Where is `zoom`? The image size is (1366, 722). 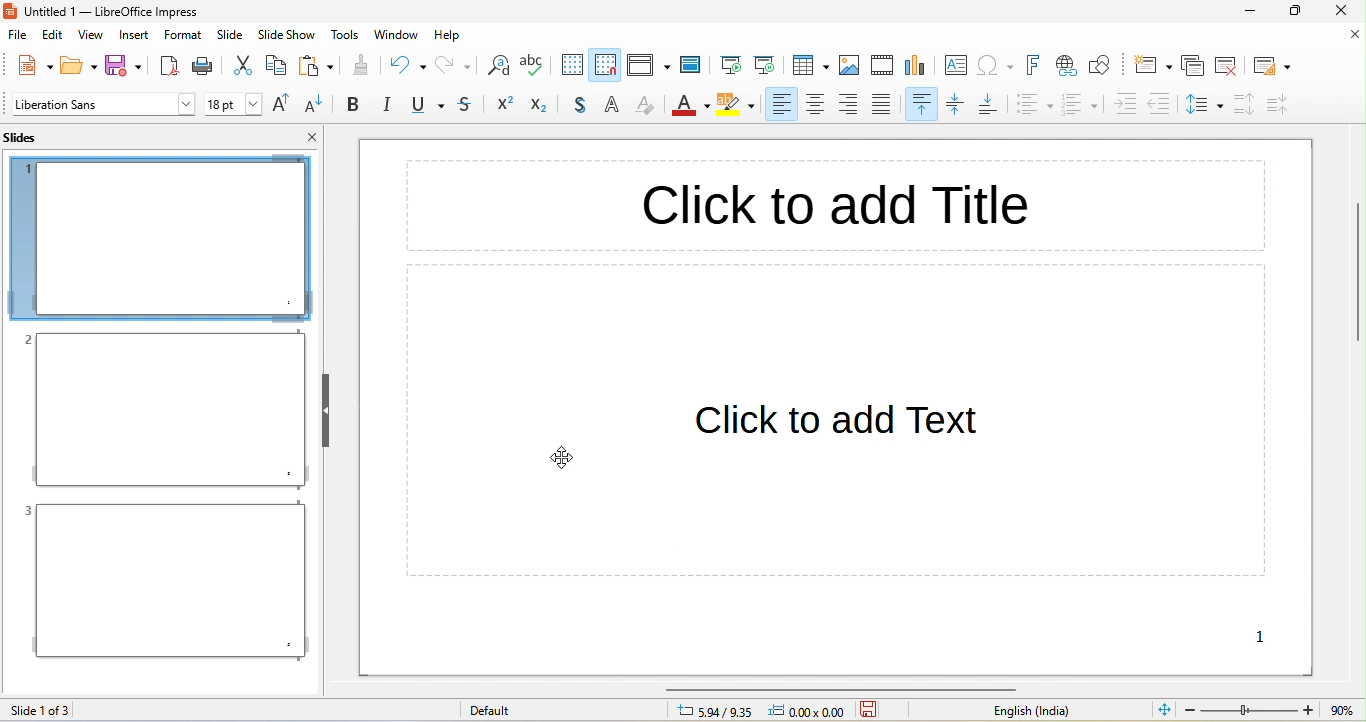 zoom is located at coordinates (1251, 710).